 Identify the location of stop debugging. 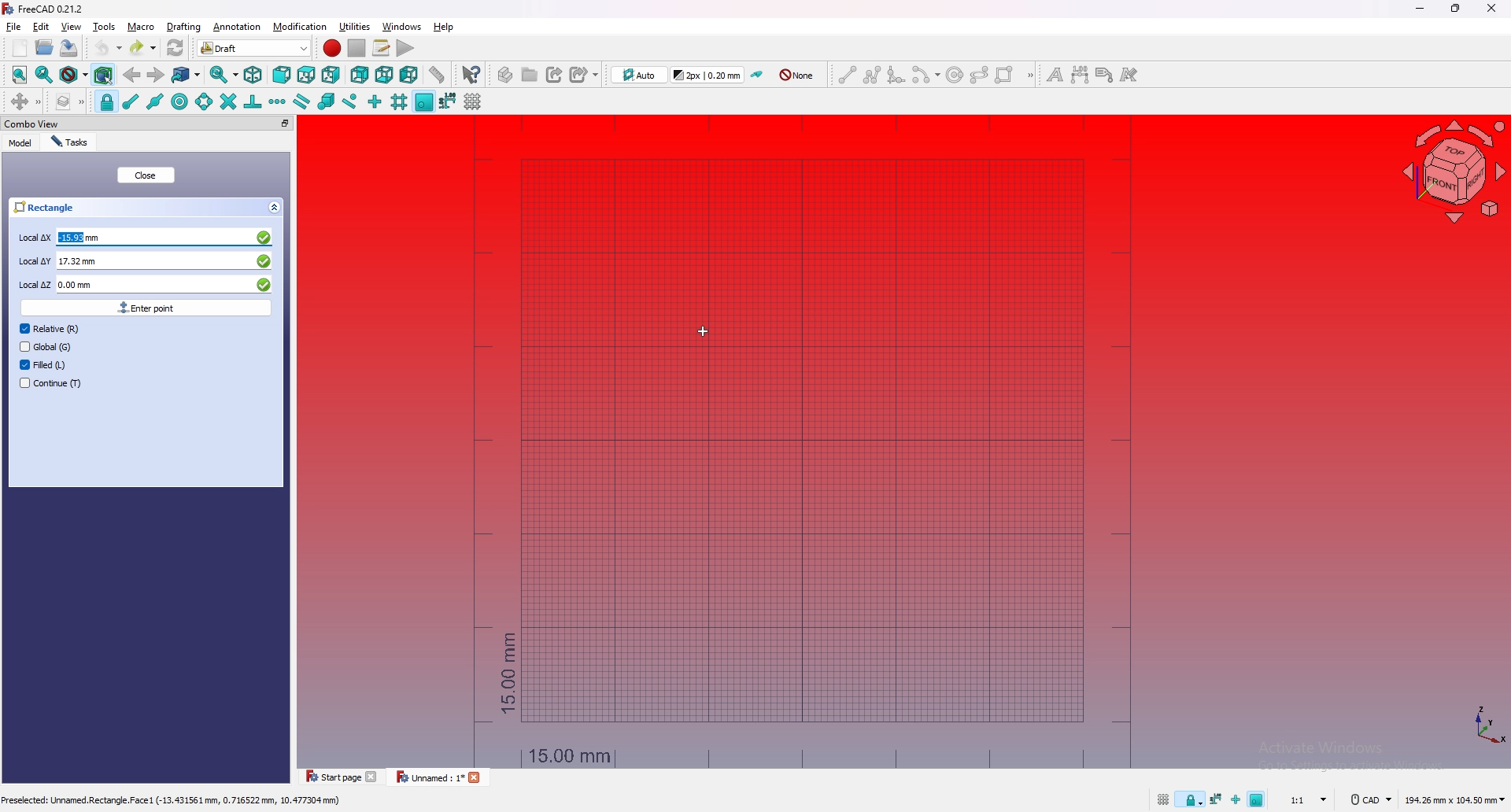
(357, 48).